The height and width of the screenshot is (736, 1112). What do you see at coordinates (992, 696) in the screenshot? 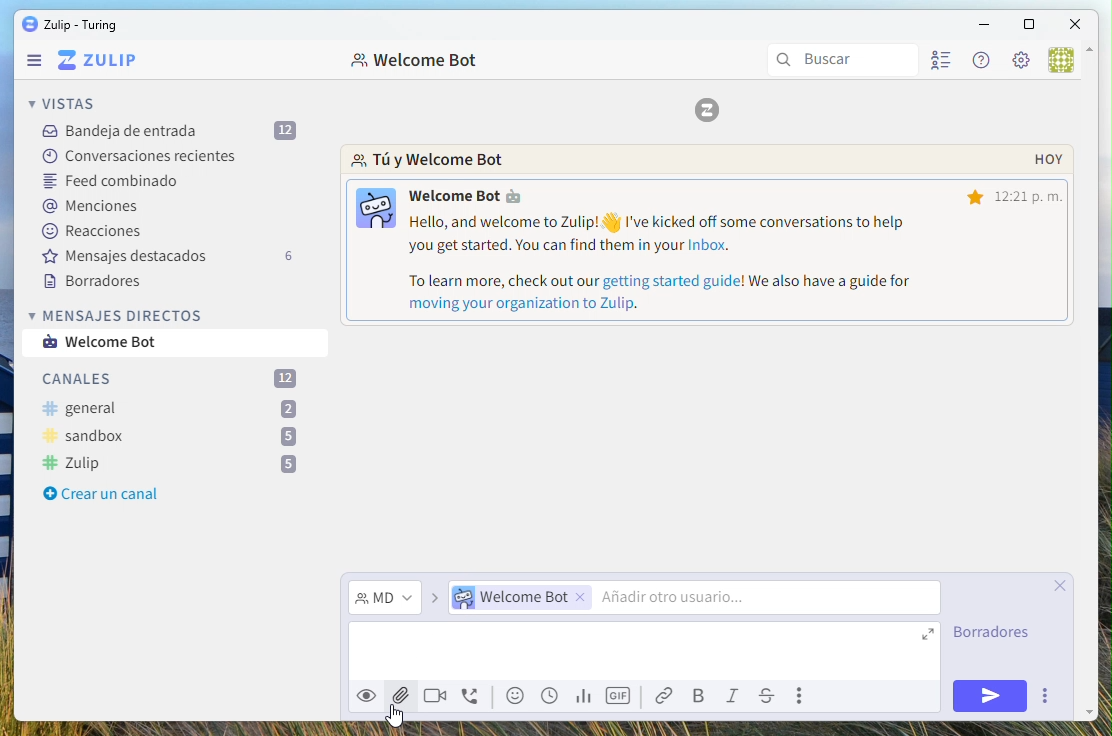
I see `Send` at bounding box center [992, 696].